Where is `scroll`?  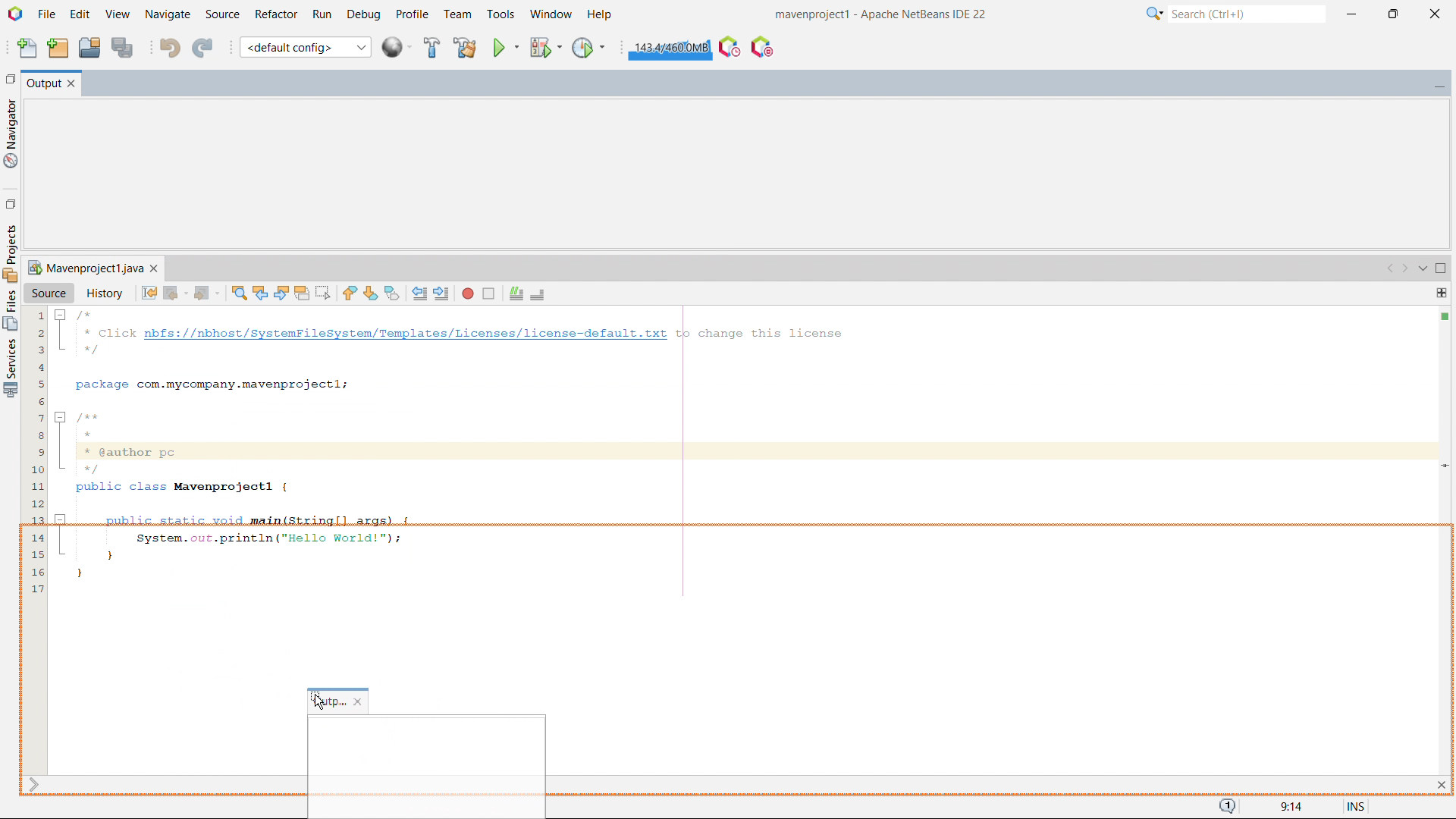
scroll is located at coordinates (33, 785).